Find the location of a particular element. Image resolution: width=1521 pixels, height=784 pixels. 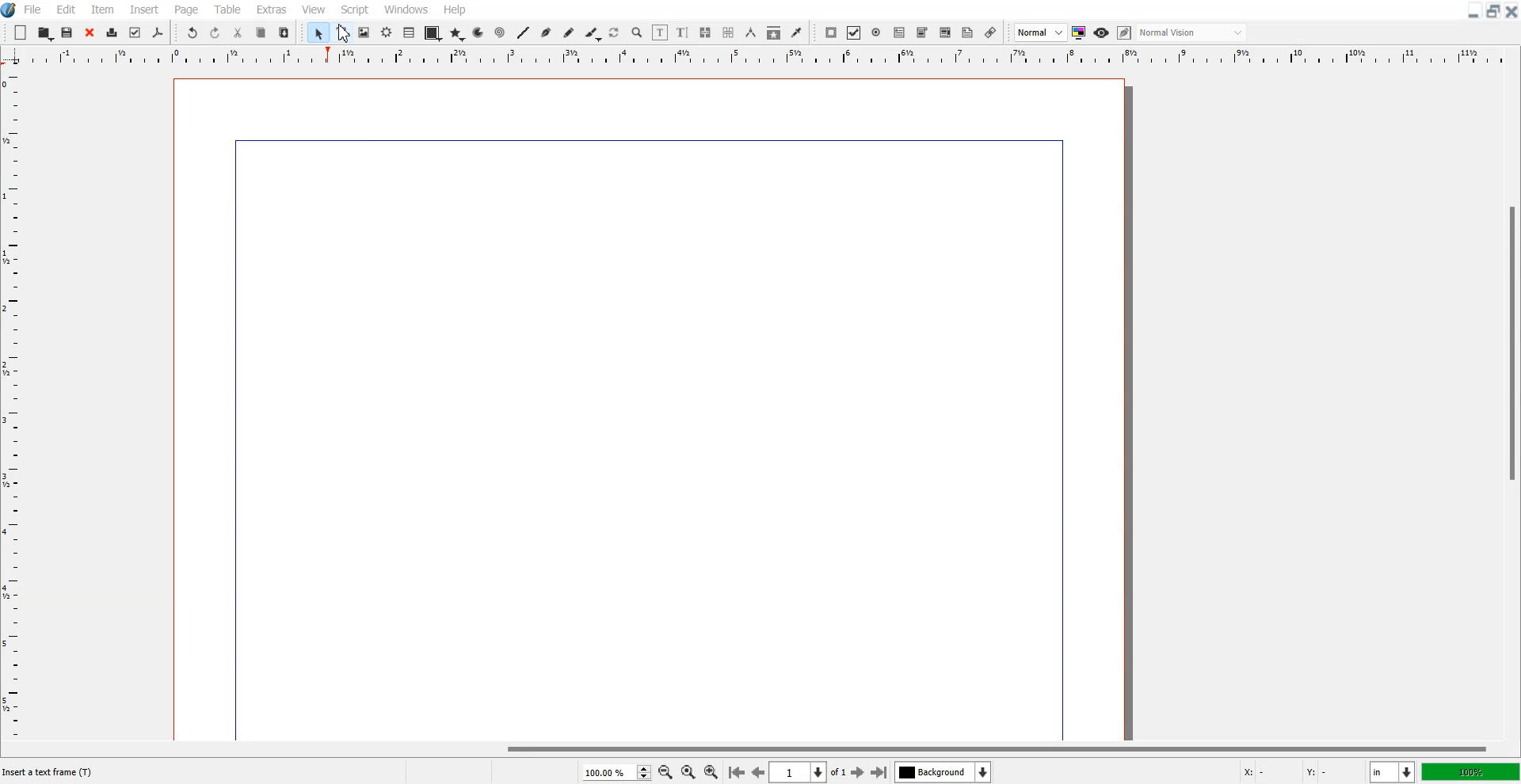

Freehand line  is located at coordinates (569, 33).